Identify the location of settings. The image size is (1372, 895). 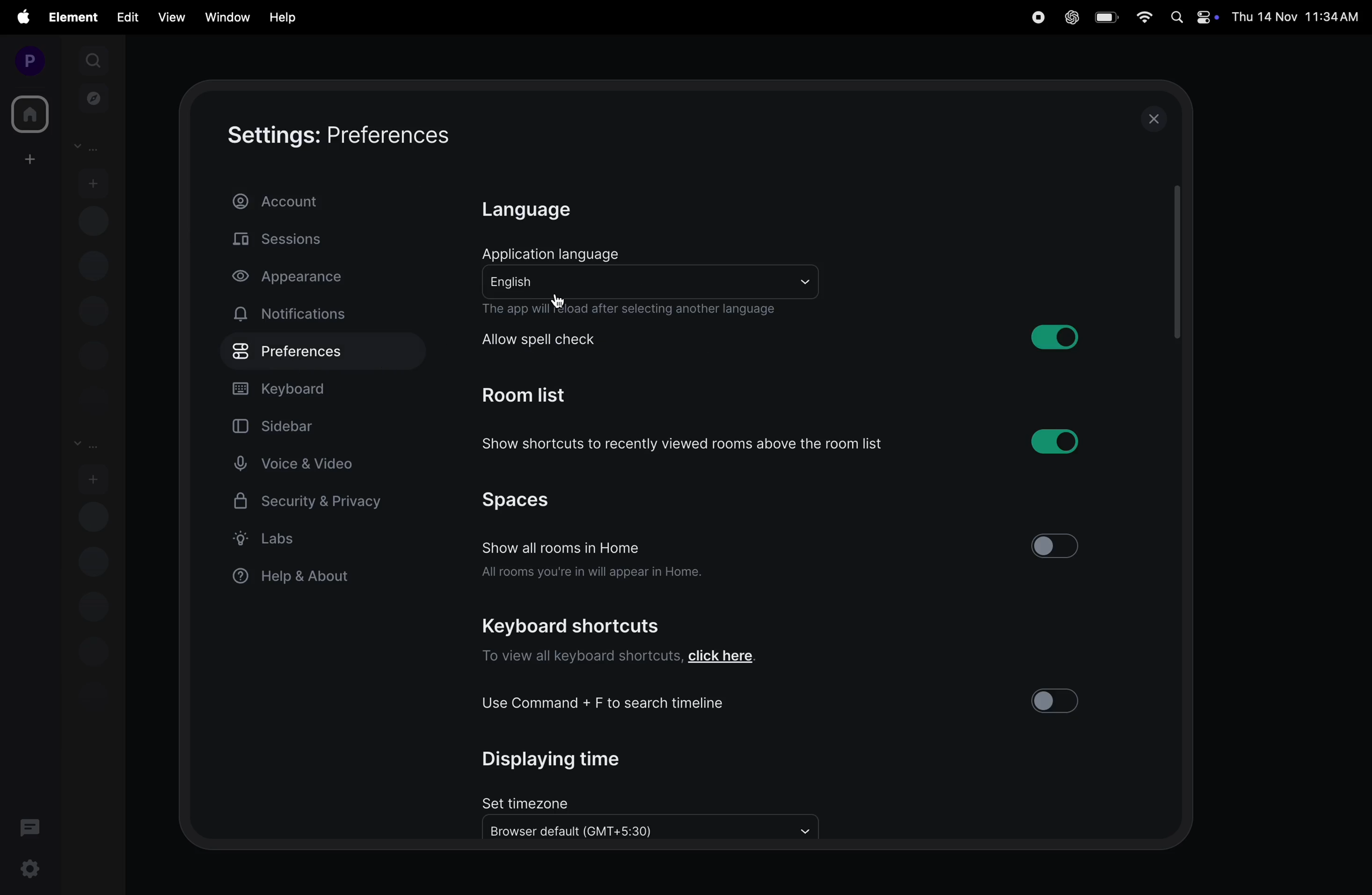
(31, 871).